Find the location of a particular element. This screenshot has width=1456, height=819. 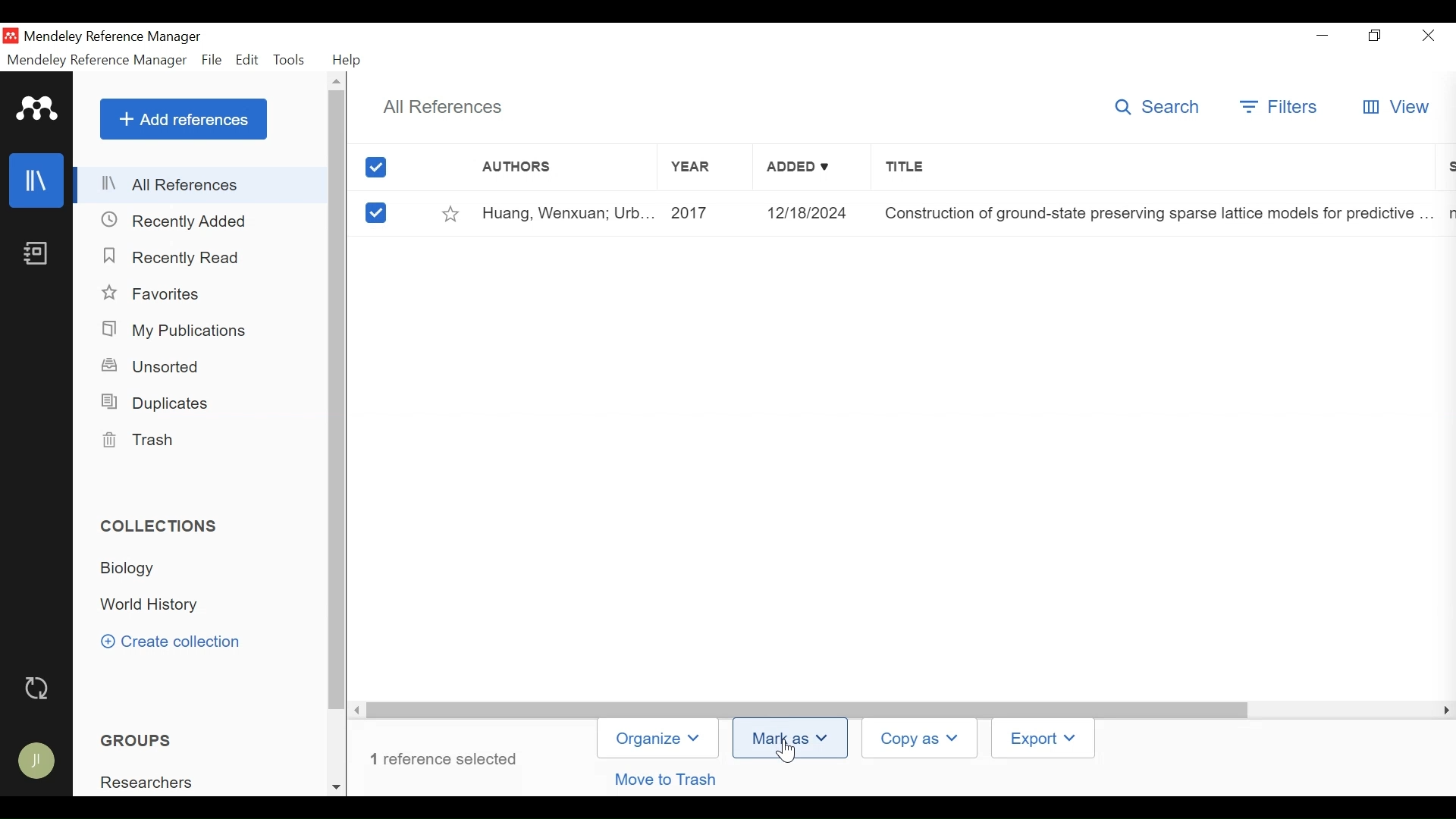

Added is located at coordinates (811, 214).